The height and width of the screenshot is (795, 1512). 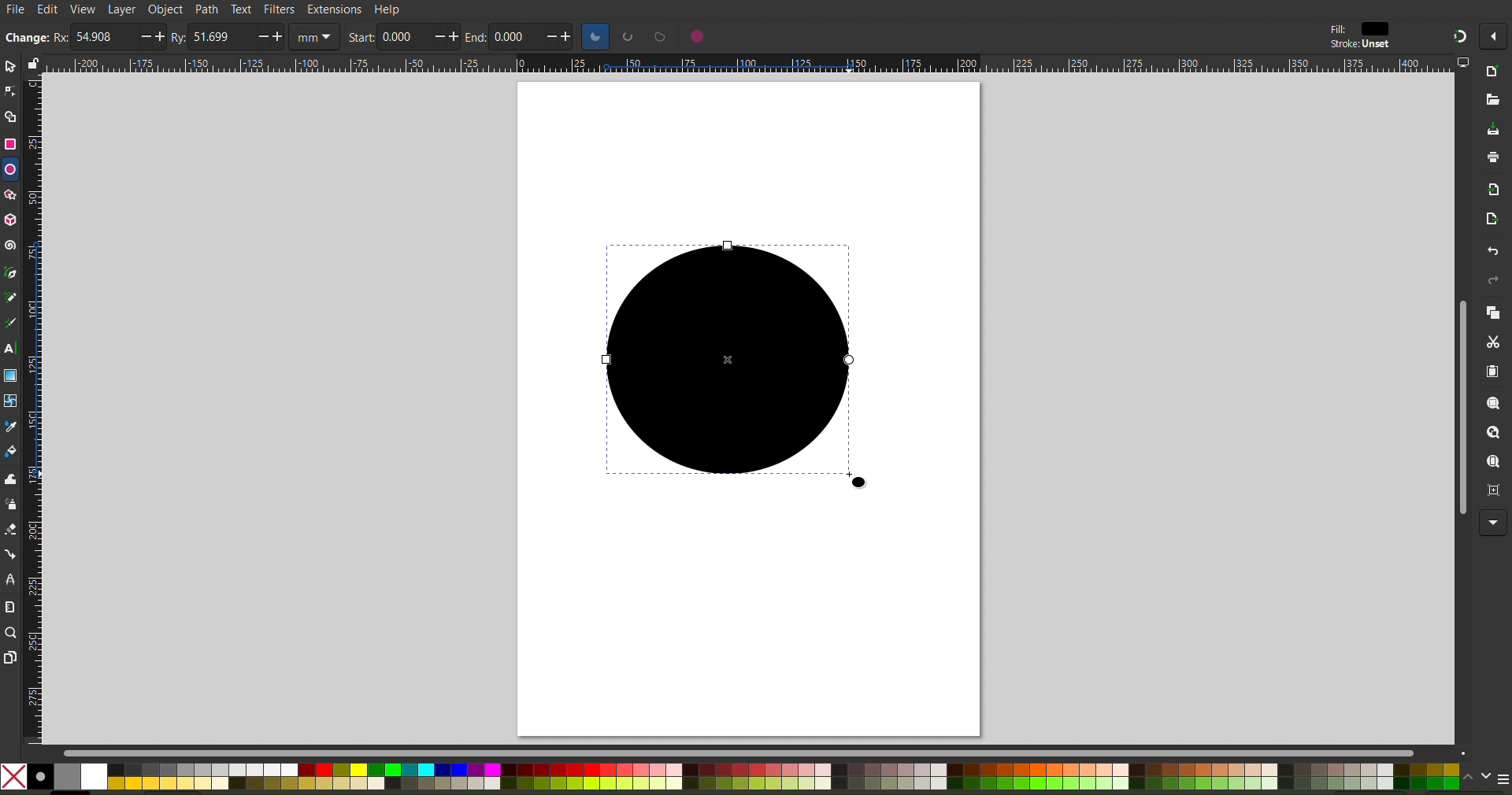 I want to click on Object, so click(x=165, y=10).